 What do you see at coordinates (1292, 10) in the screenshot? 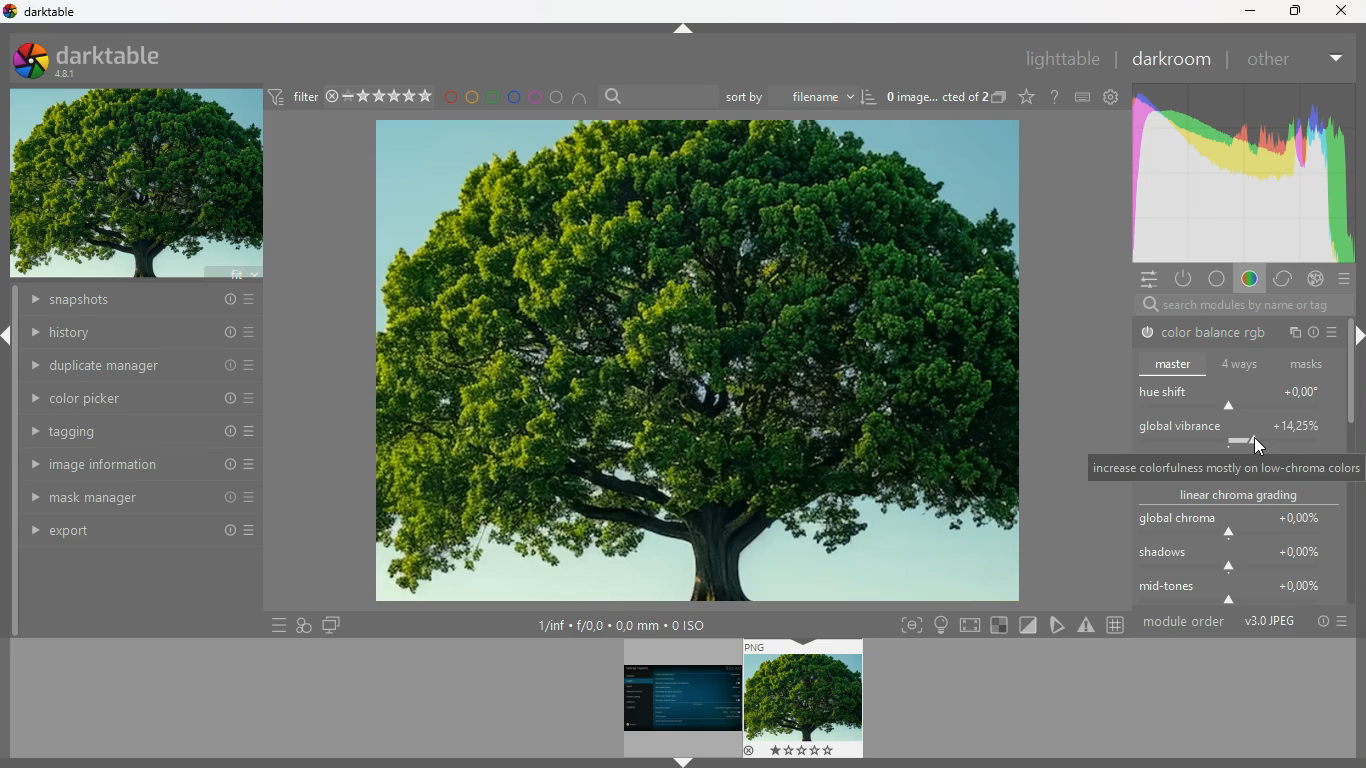
I see `maximize` at bounding box center [1292, 10].